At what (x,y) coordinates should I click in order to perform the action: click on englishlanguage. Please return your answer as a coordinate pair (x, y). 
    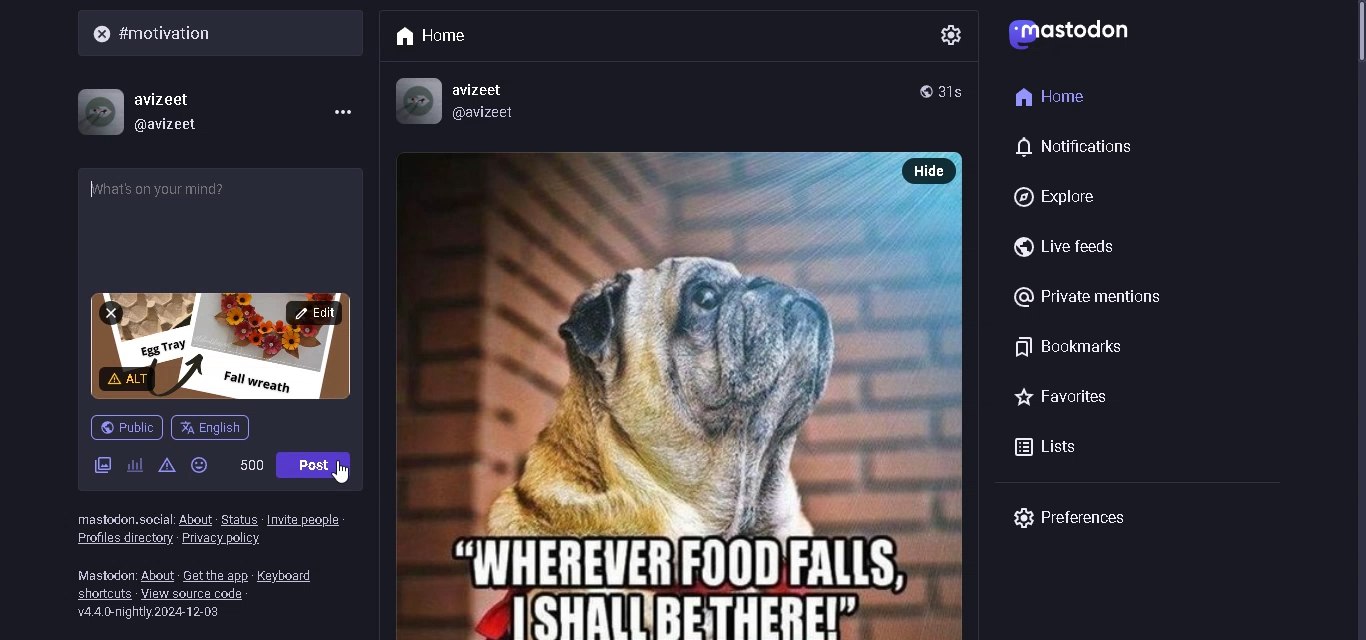
    Looking at the image, I should click on (211, 427).